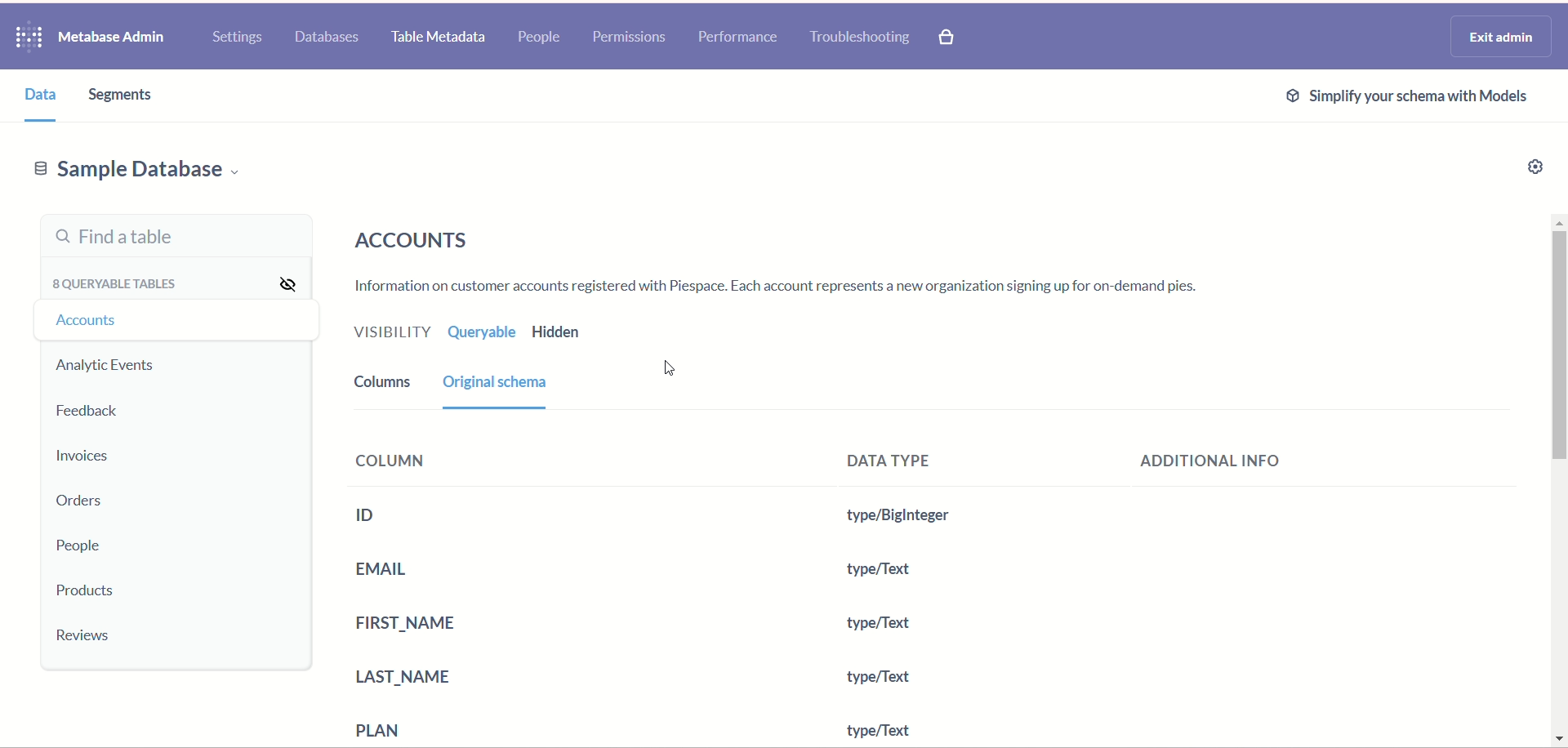  I want to click on visibility, so click(292, 284).